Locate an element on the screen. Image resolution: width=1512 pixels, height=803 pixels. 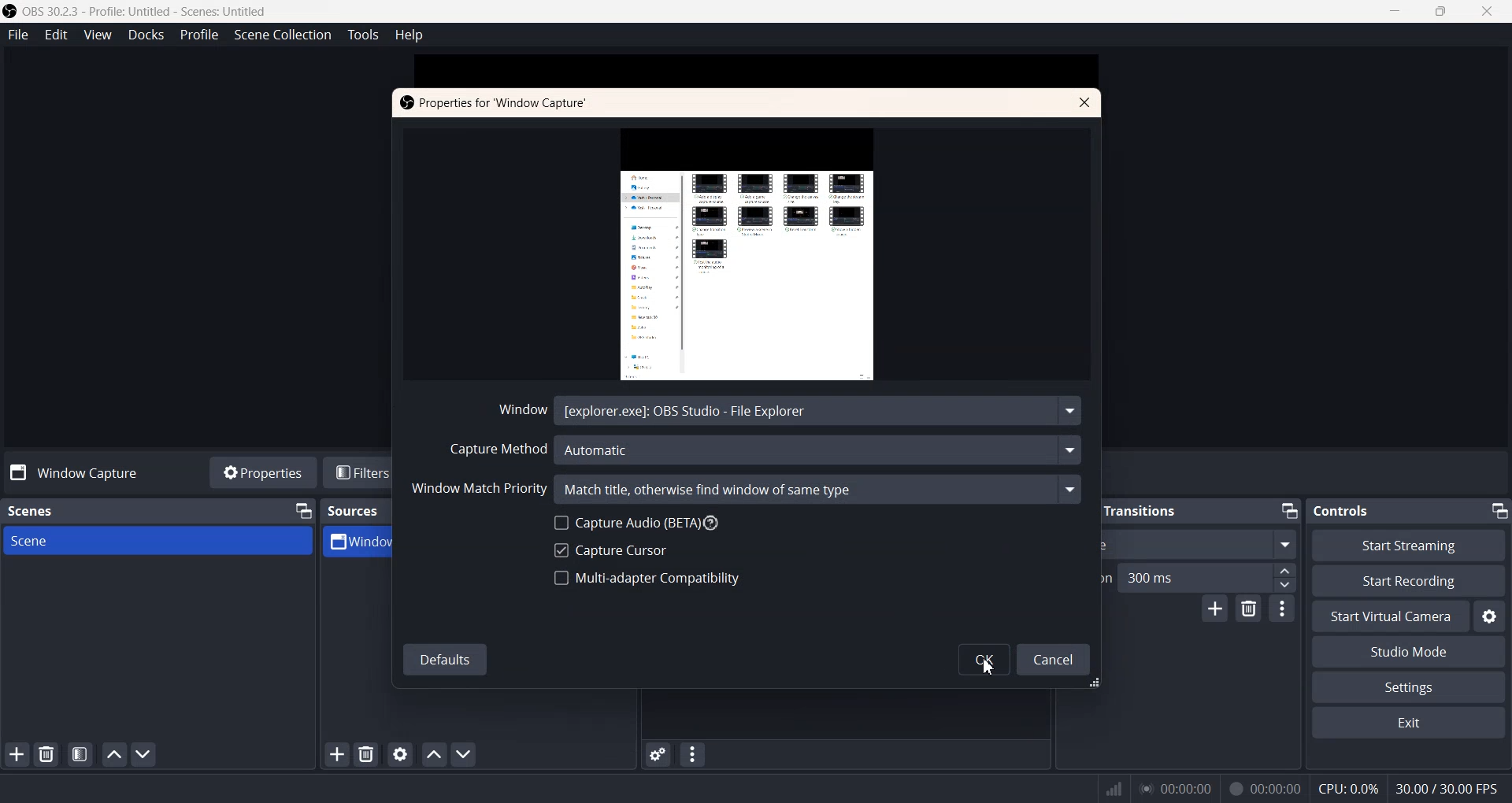
Controls is located at coordinates (1346, 511).